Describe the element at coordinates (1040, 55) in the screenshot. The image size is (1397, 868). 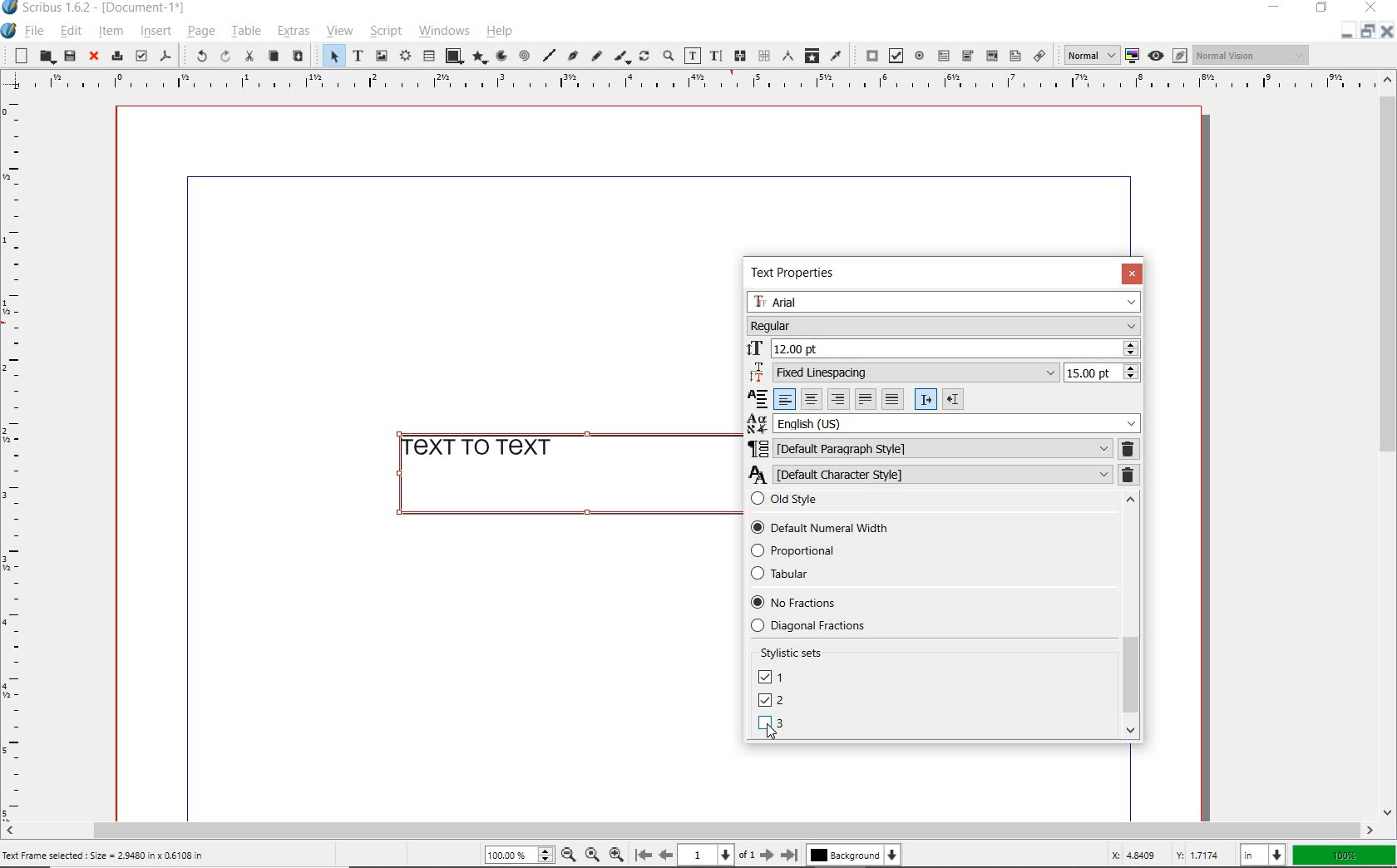
I see `link annotation` at that location.